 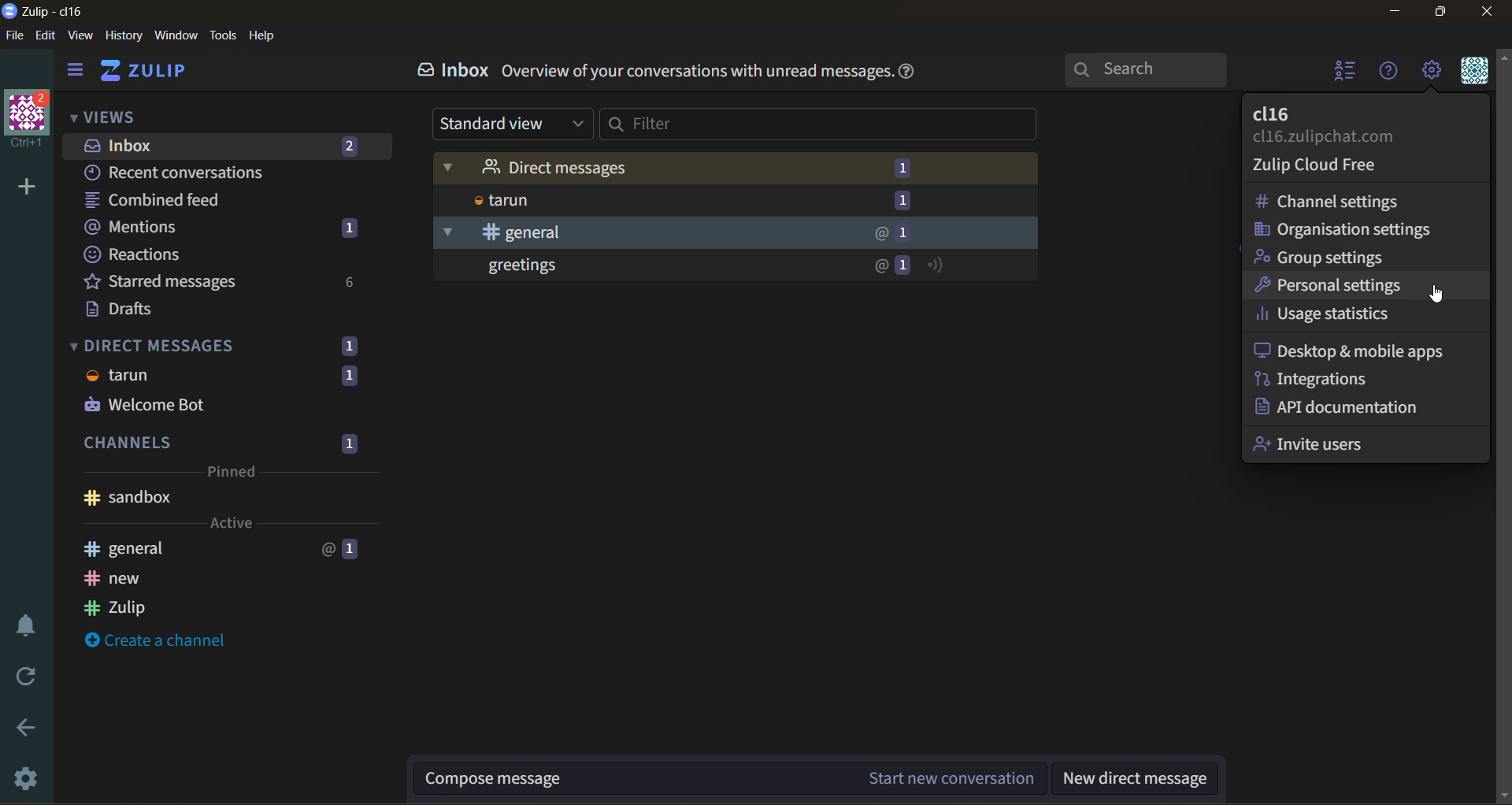 What do you see at coordinates (721, 785) in the screenshot?
I see `compose message` at bounding box center [721, 785].